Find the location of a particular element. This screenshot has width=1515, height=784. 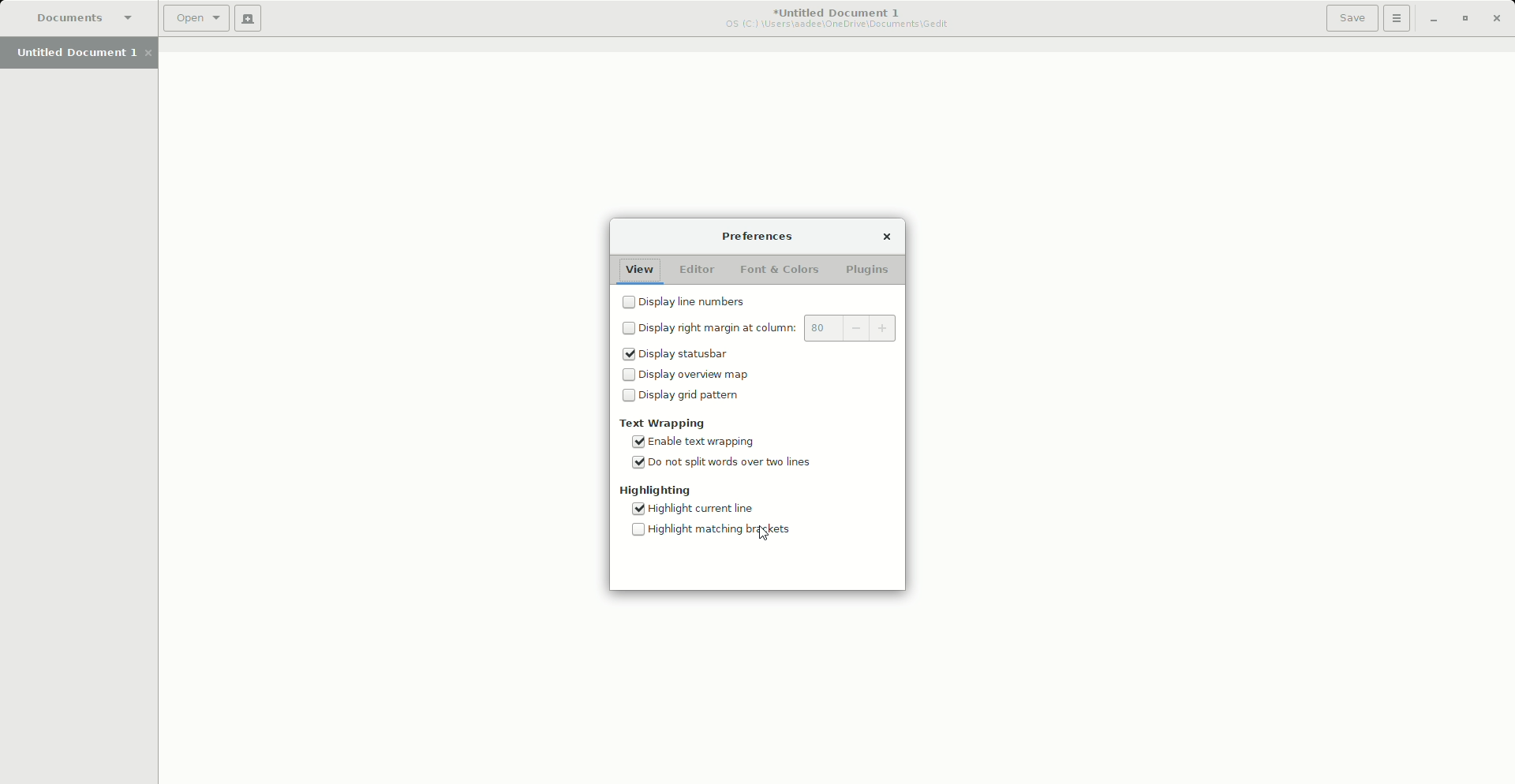

View is located at coordinates (639, 270).